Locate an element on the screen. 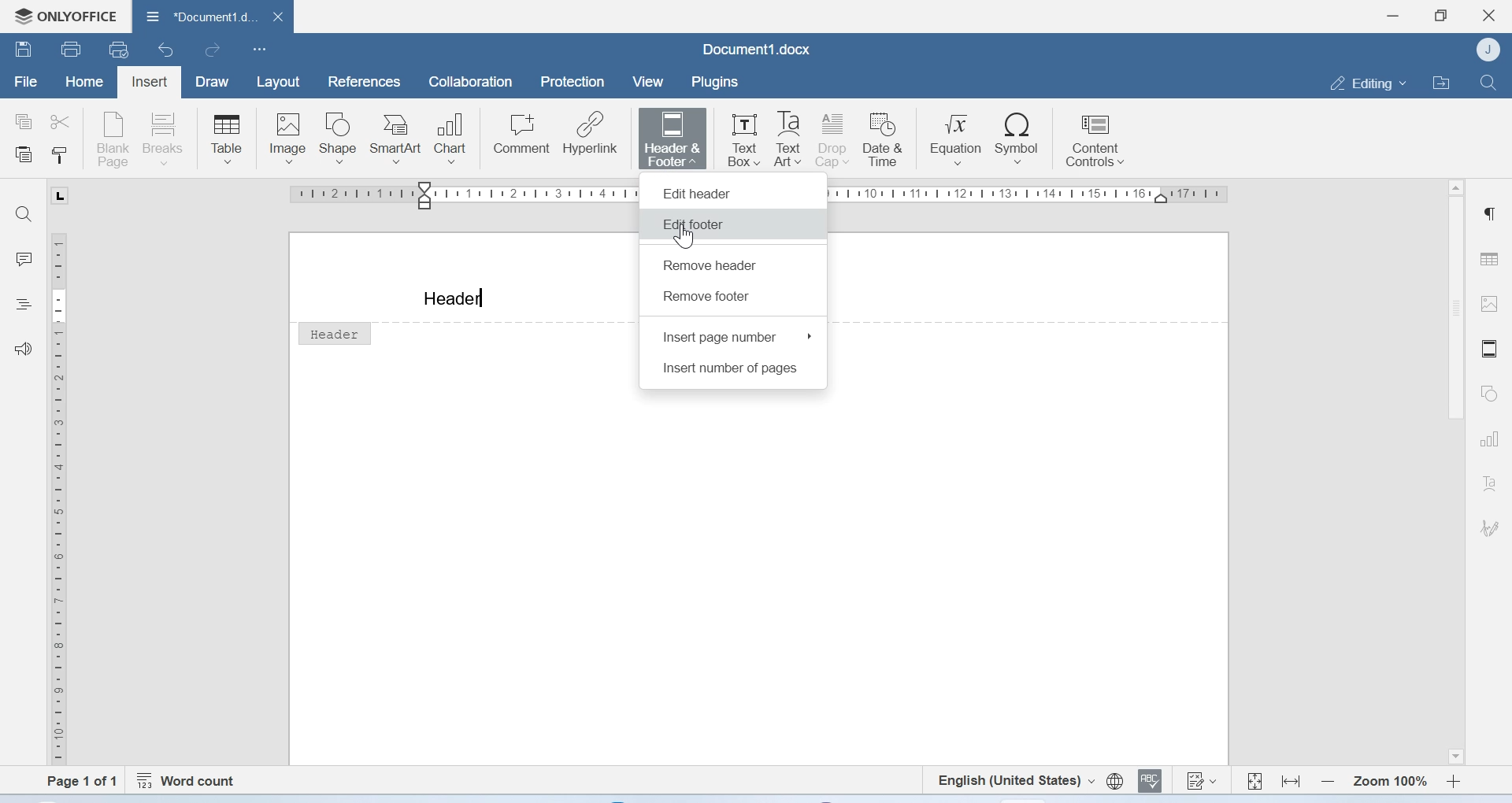 The height and width of the screenshot is (803, 1512). Blank page is located at coordinates (114, 138).